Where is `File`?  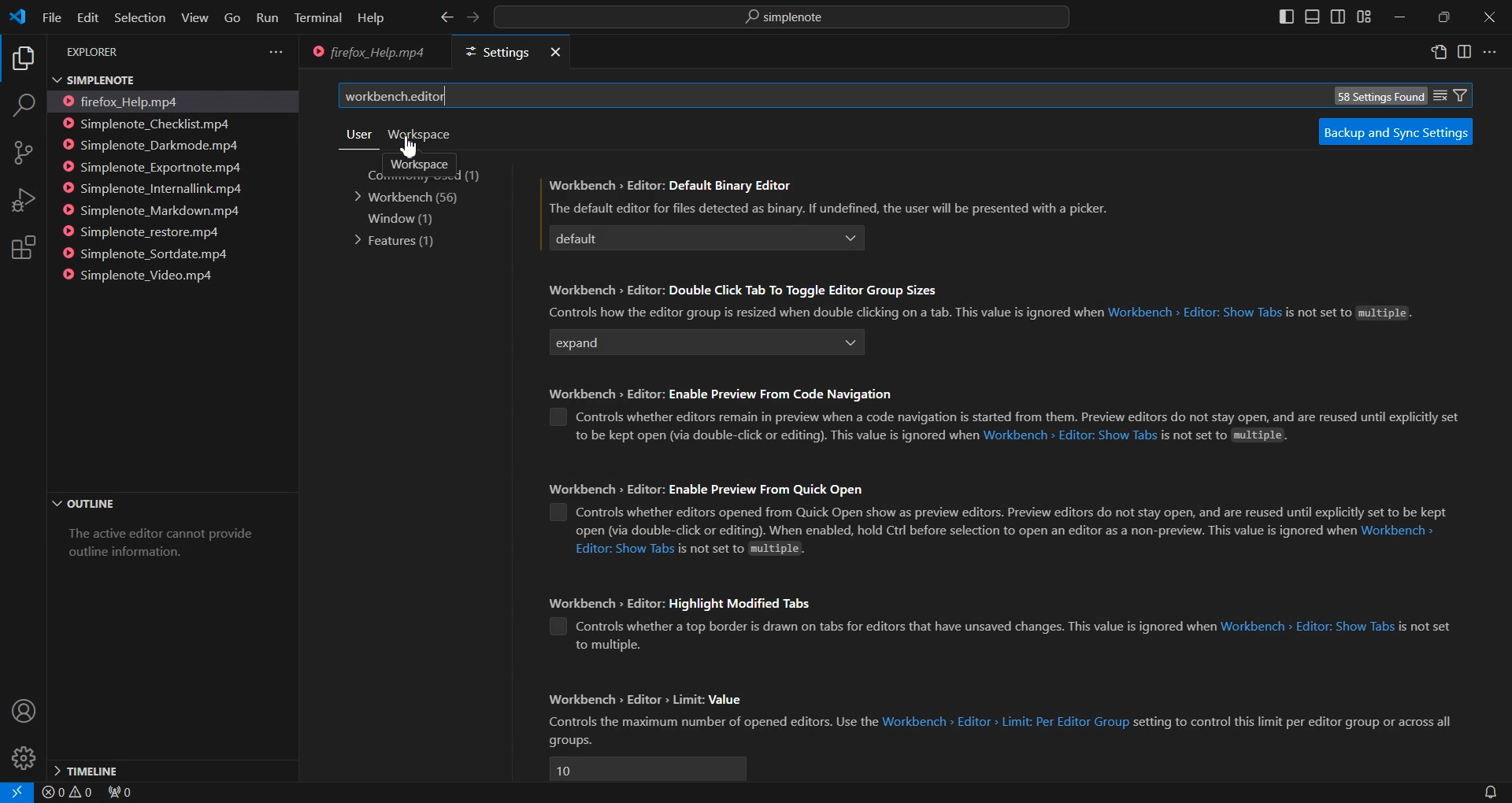
File is located at coordinates (50, 17).